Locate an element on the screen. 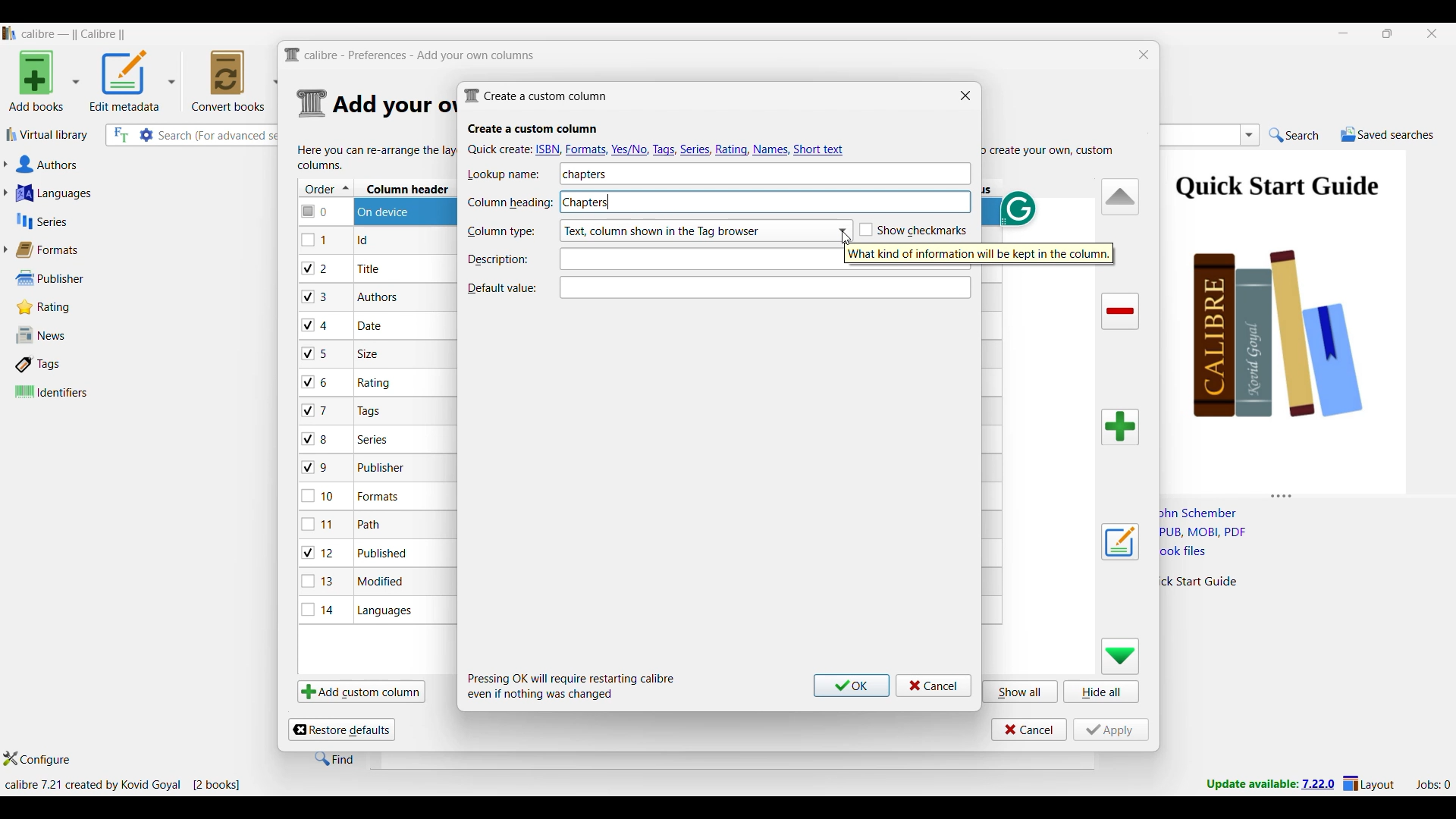 The height and width of the screenshot is (819, 1456). Close window is located at coordinates (1144, 55).